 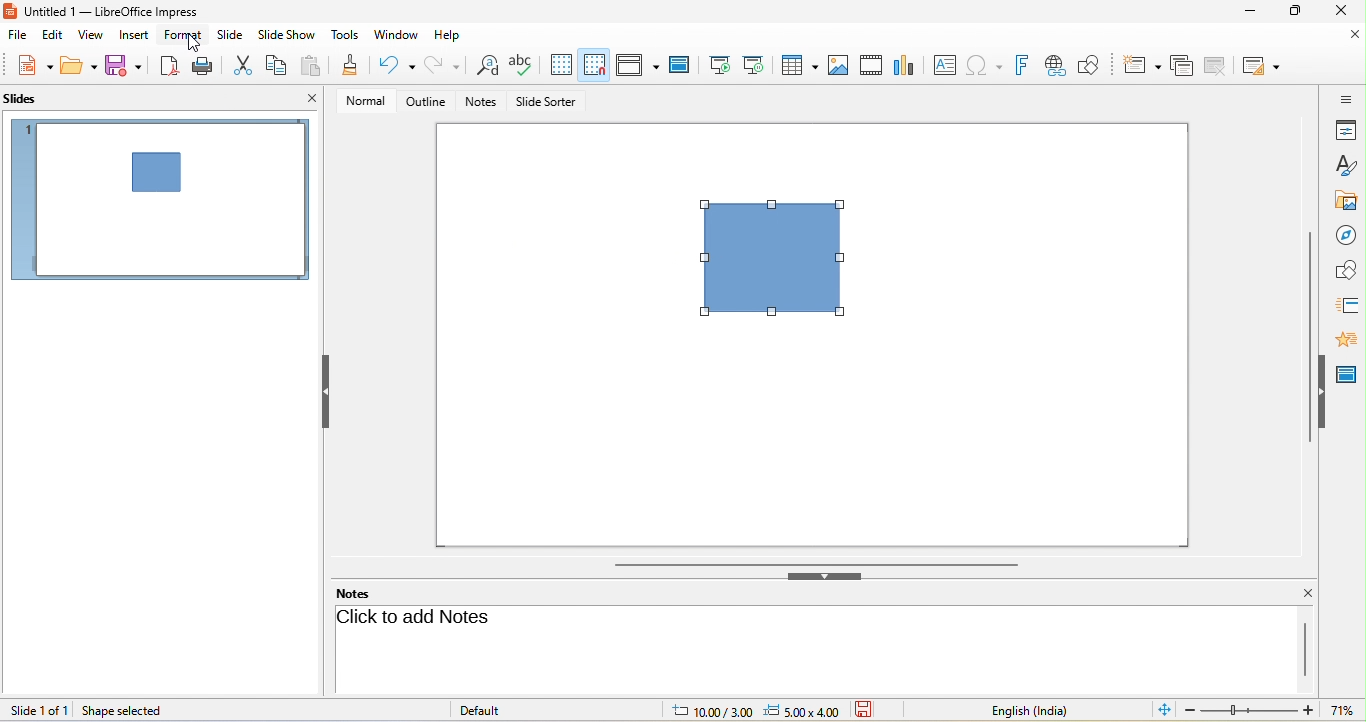 What do you see at coordinates (803, 710) in the screenshot?
I see `5.00x4.00` at bounding box center [803, 710].